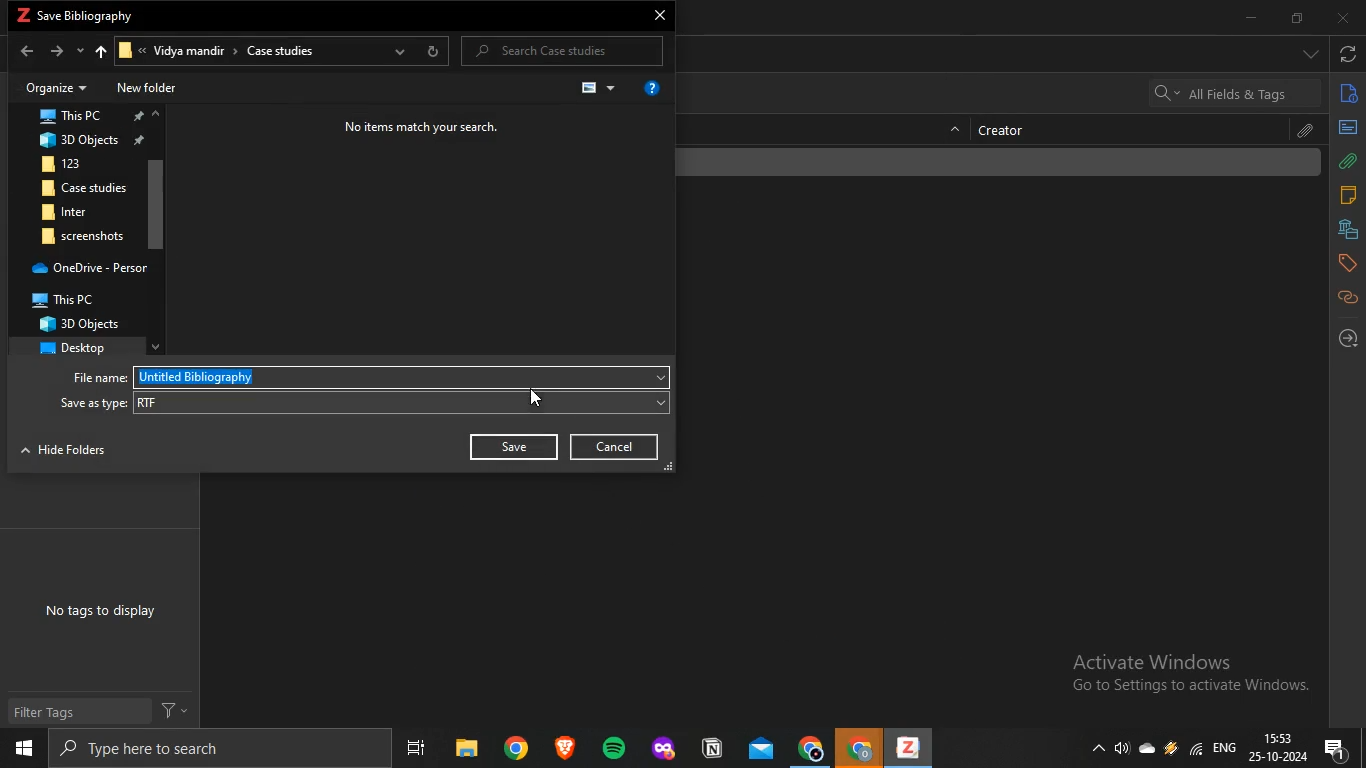 The height and width of the screenshot is (768, 1366). What do you see at coordinates (26, 54) in the screenshot?
I see `back` at bounding box center [26, 54].